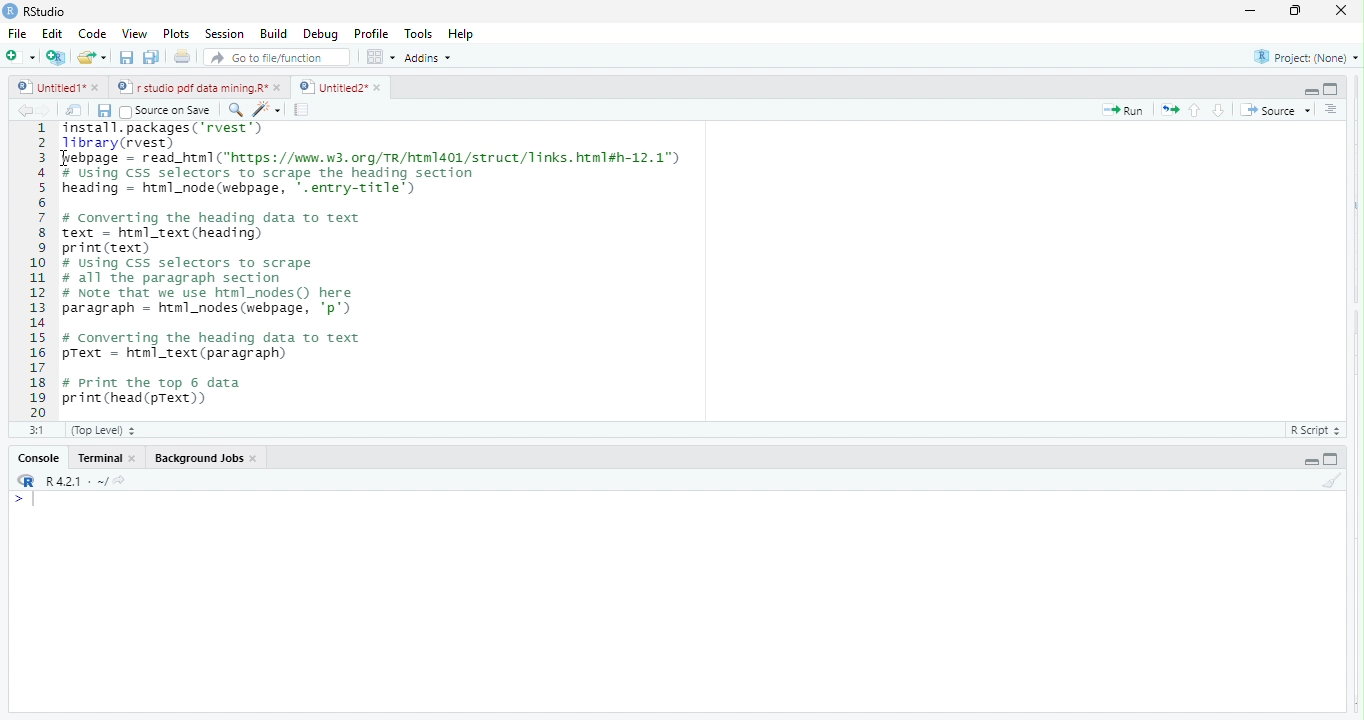  What do you see at coordinates (179, 58) in the screenshot?
I see `print the current file` at bounding box center [179, 58].